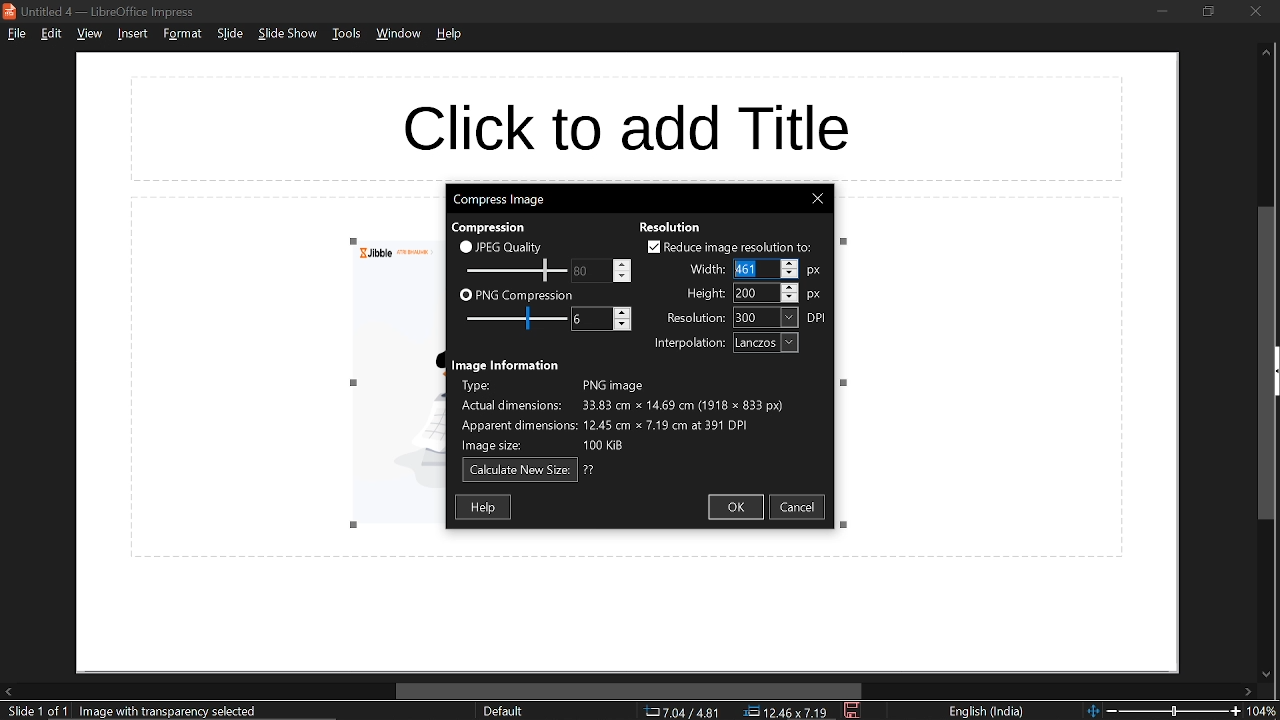  What do you see at coordinates (173, 711) in the screenshot?
I see `selected image` at bounding box center [173, 711].